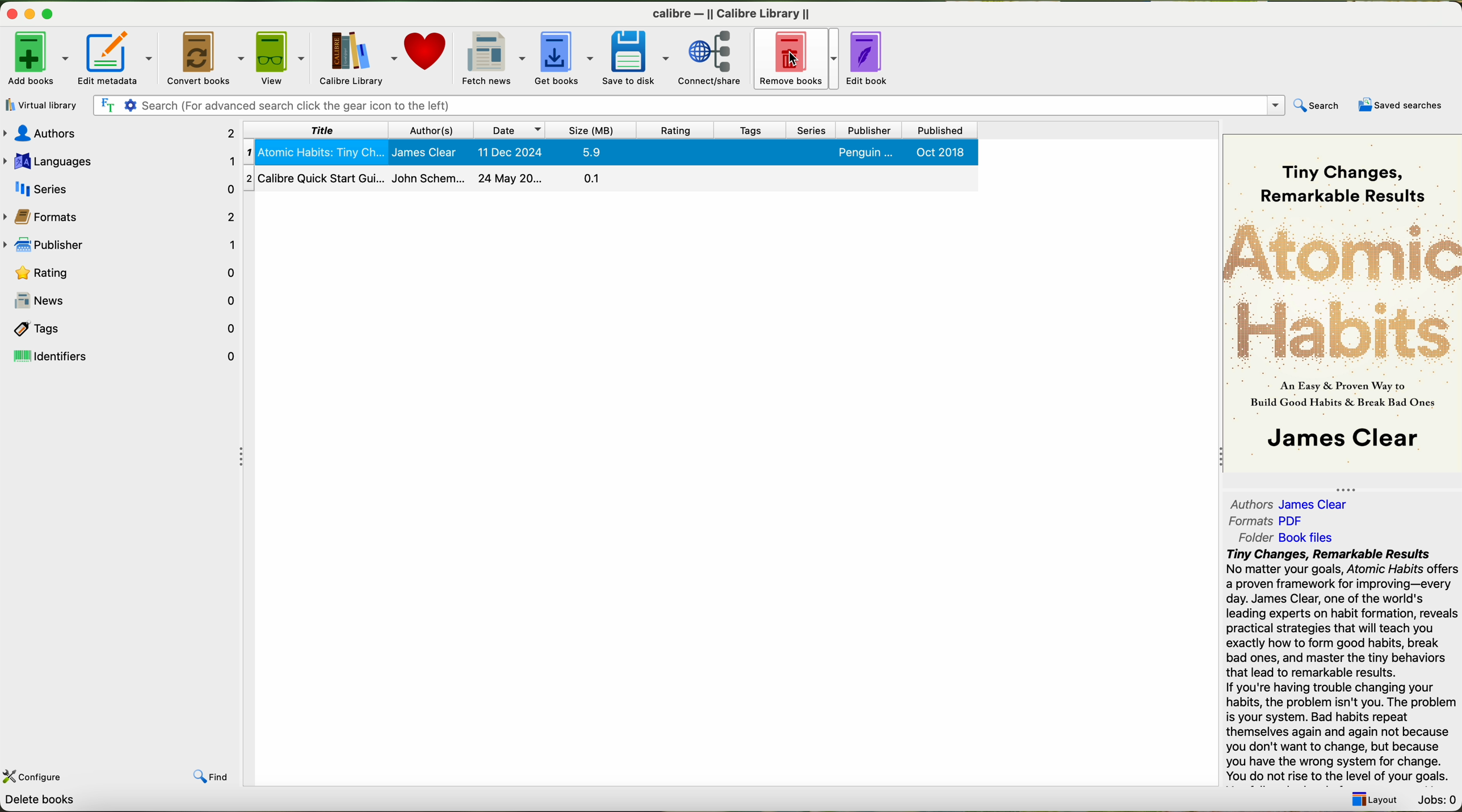  What do you see at coordinates (50, 11) in the screenshot?
I see `maximize program` at bounding box center [50, 11].